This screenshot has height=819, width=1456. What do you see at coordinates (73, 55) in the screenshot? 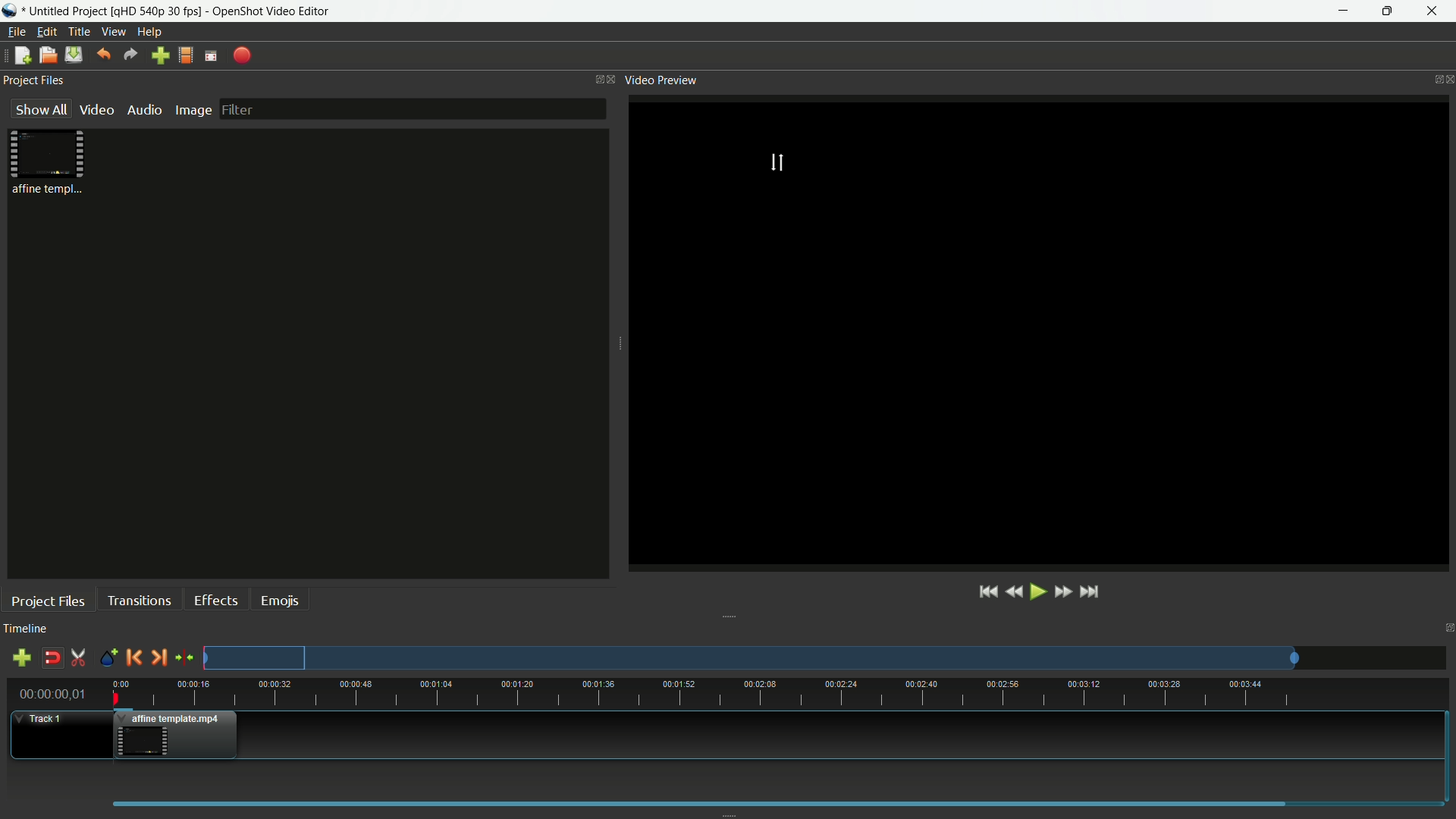
I see `save files` at bounding box center [73, 55].